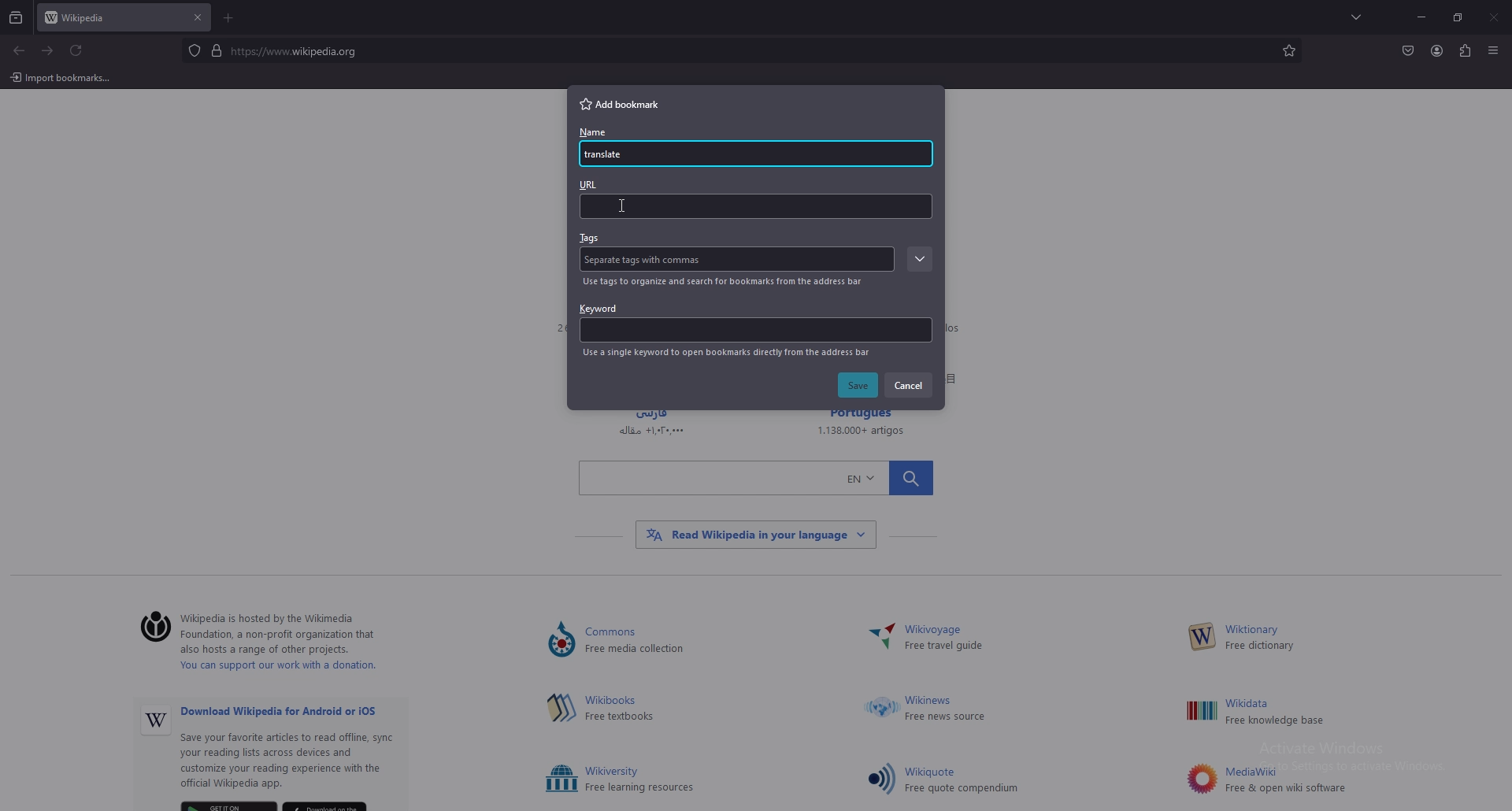 This screenshot has width=1512, height=811. I want to click on bookmarks, so click(1288, 50).